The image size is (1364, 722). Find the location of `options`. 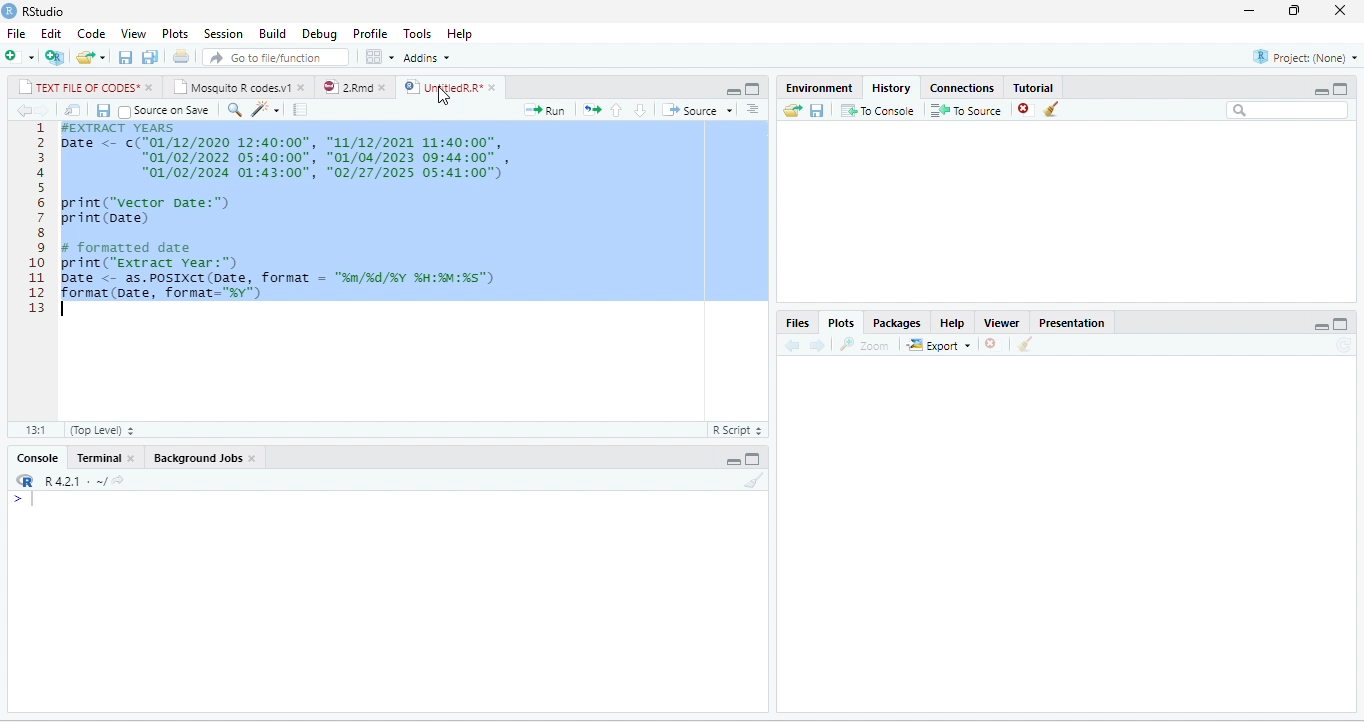

options is located at coordinates (752, 109).